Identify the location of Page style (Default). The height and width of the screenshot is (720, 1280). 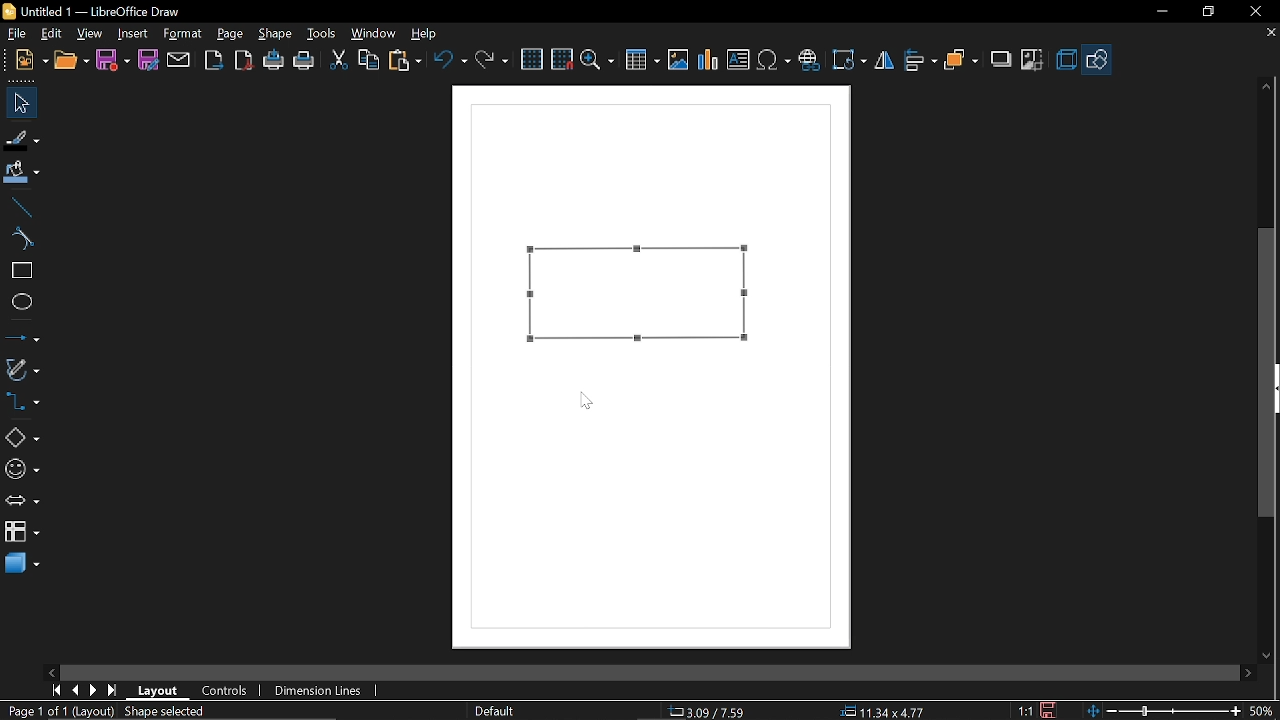
(495, 710).